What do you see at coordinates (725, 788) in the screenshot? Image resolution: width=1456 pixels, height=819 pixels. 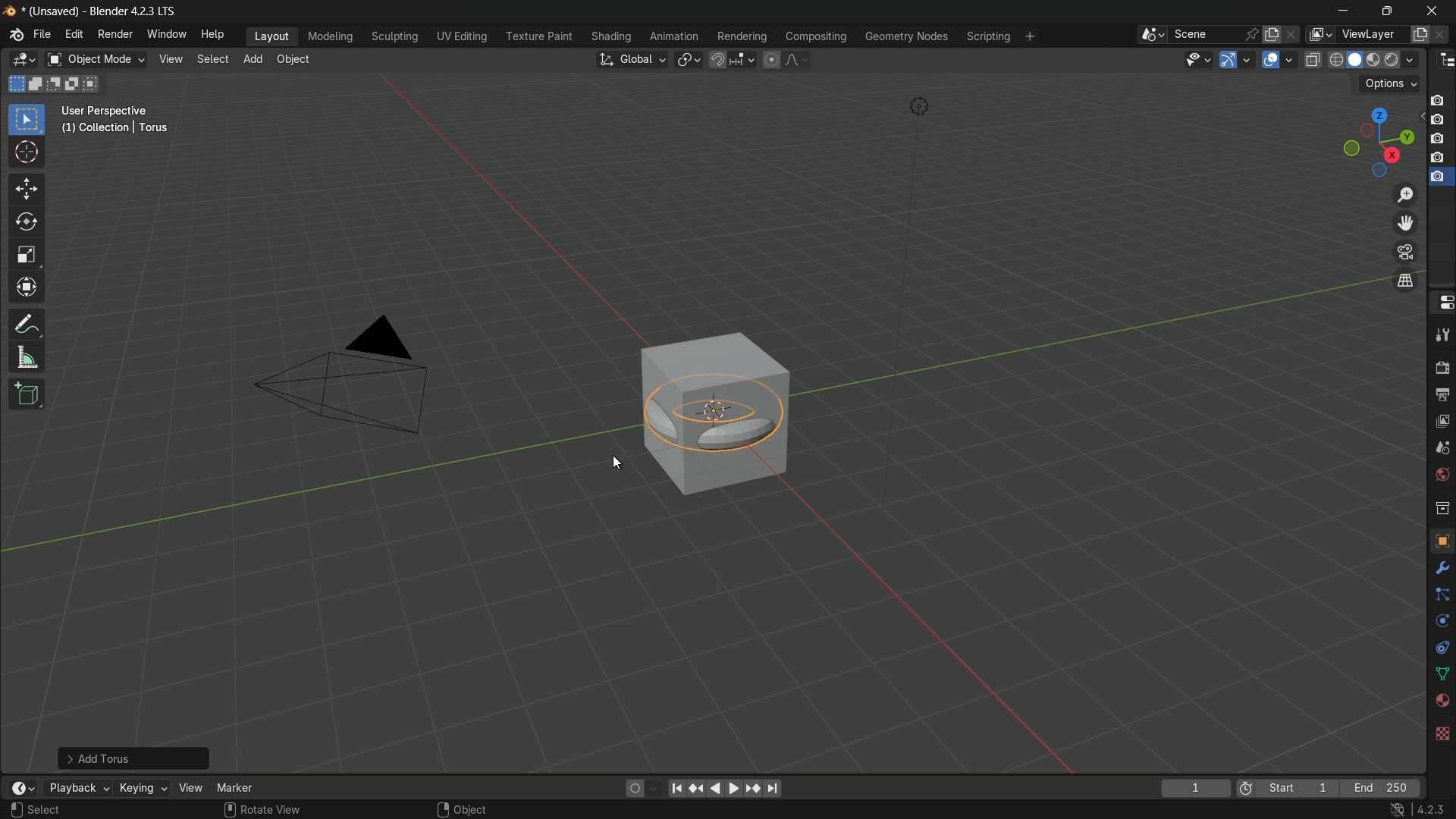 I see `play animation` at bounding box center [725, 788].